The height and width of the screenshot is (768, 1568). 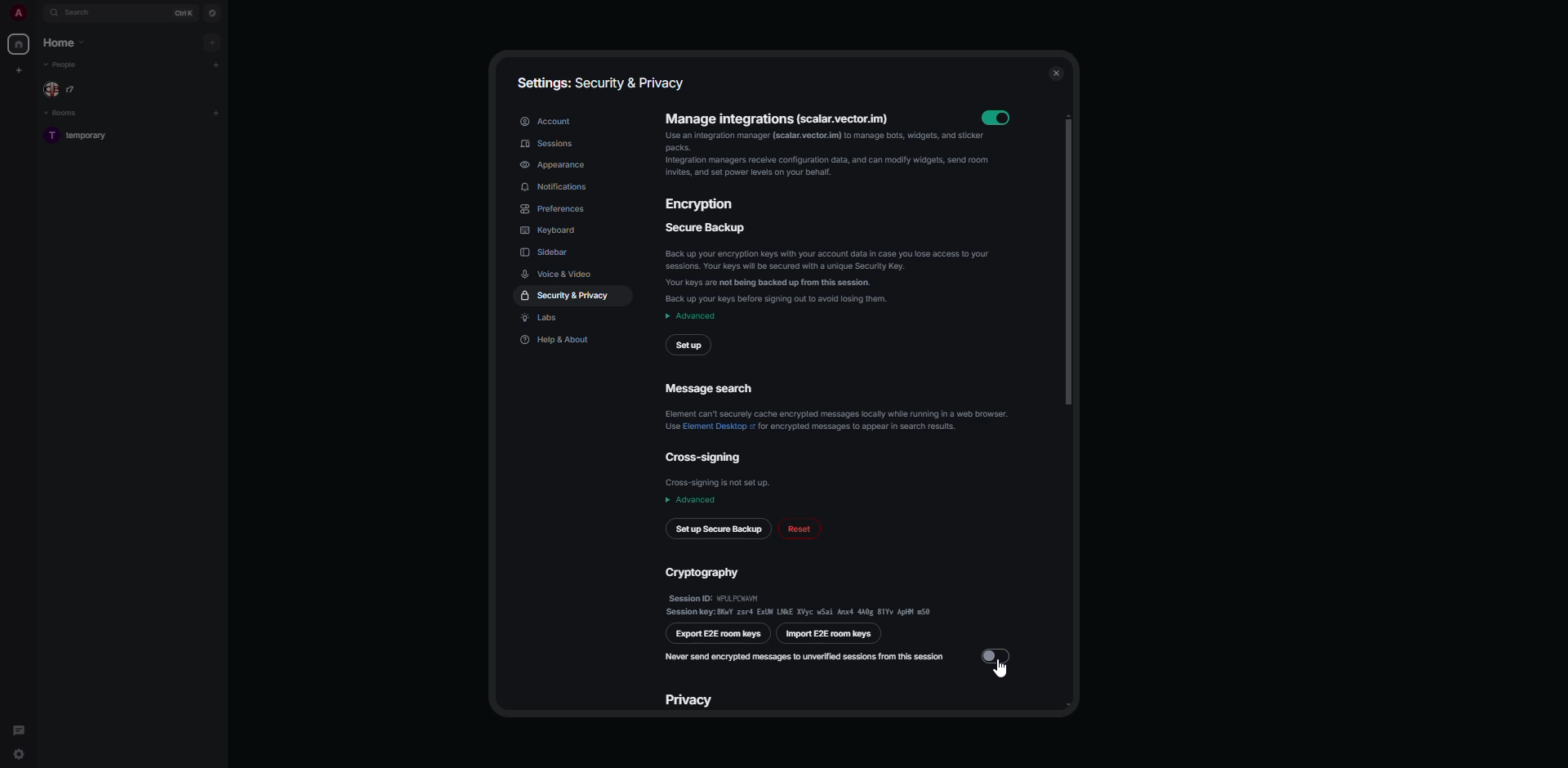 What do you see at coordinates (15, 12) in the screenshot?
I see `profile` at bounding box center [15, 12].